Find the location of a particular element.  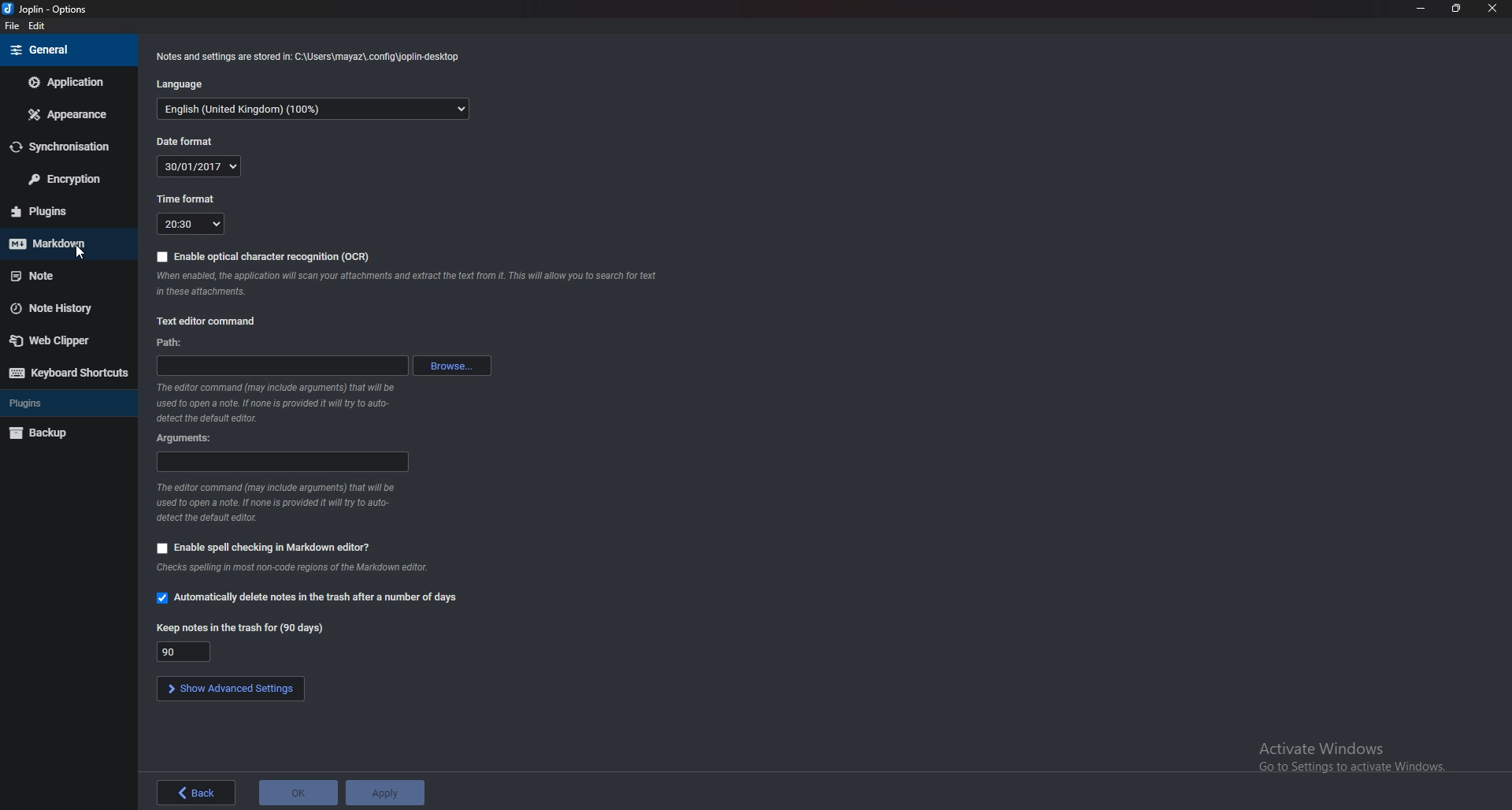

note is located at coordinates (58, 276).